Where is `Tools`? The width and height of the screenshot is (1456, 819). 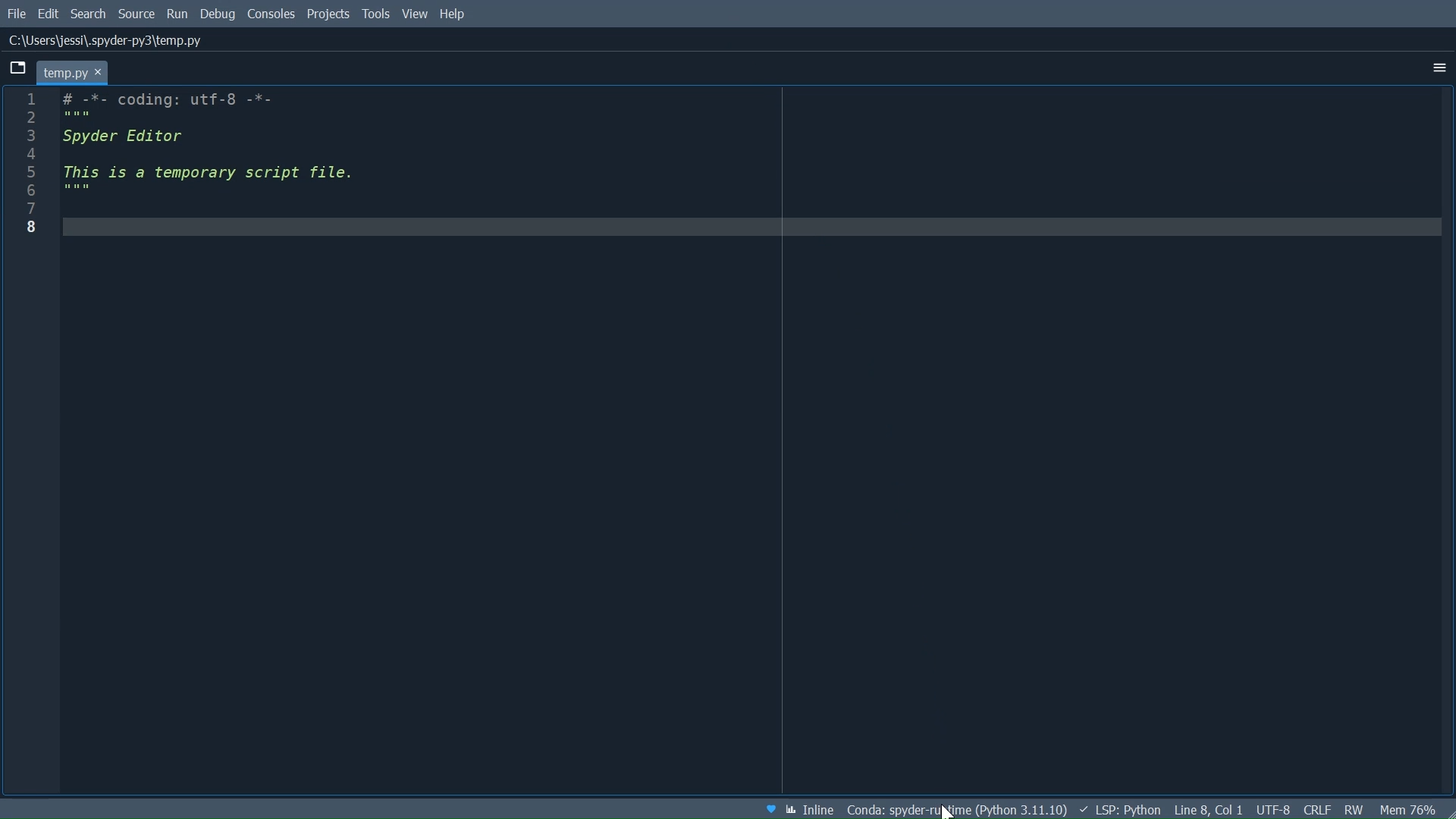 Tools is located at coordinates (376, 14).